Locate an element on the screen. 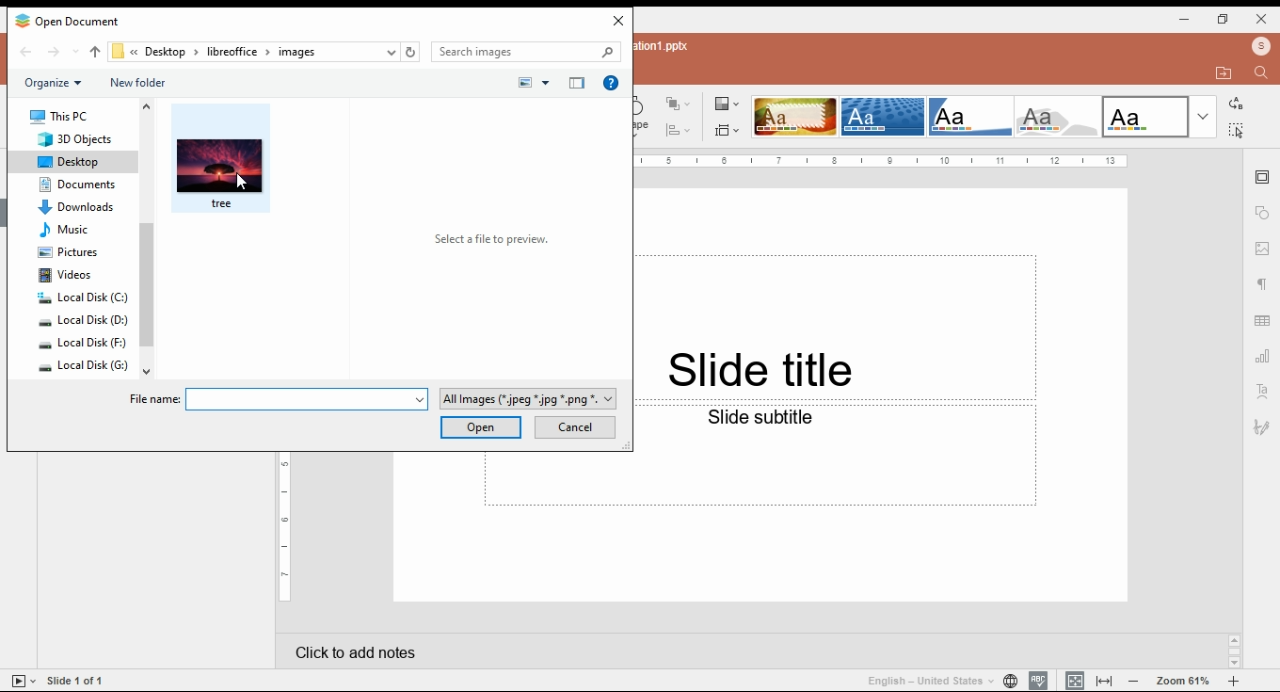  documents is located at coordinates (80, 184).